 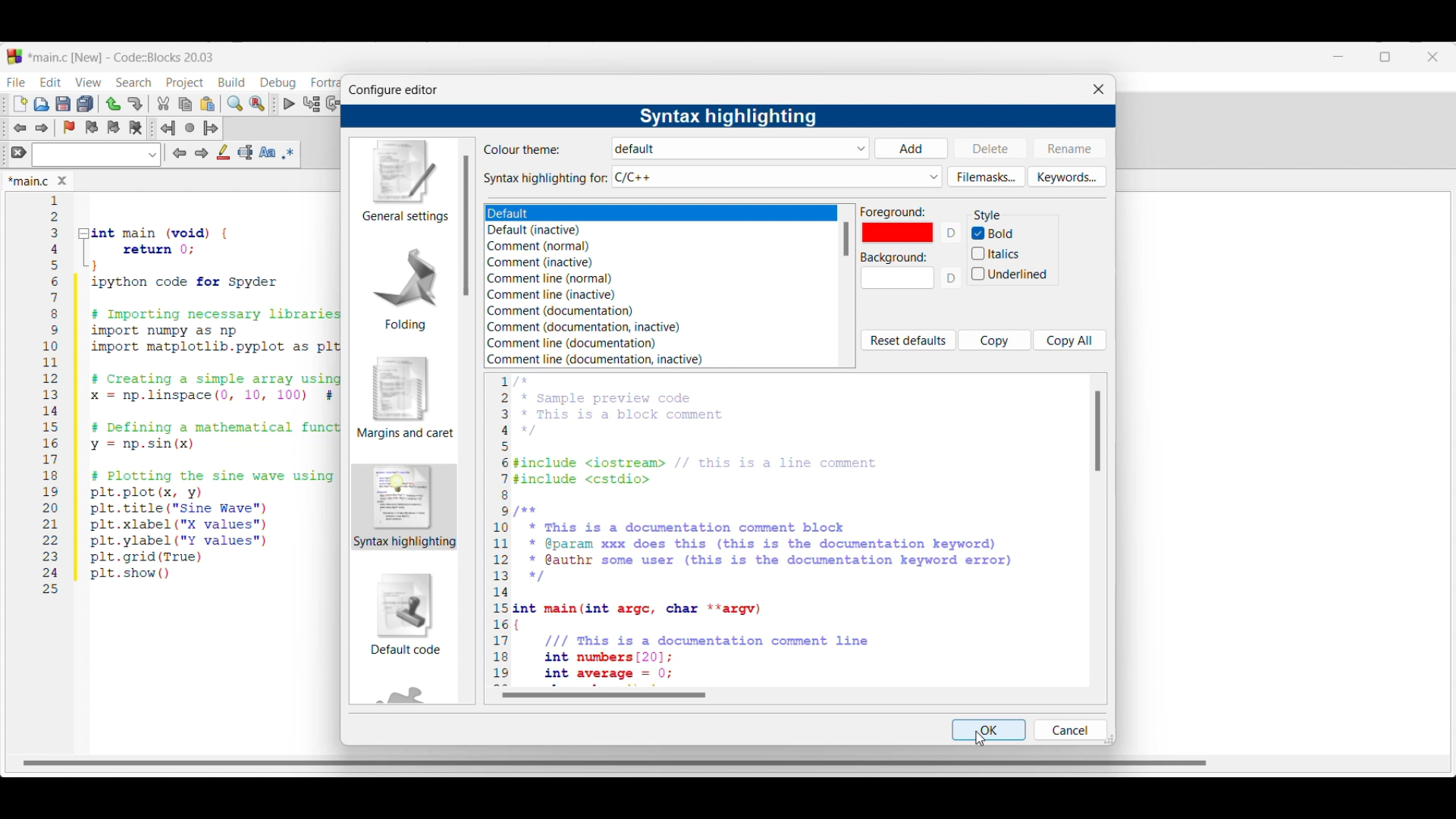 I want to click on Horizontal scroll bar, so click(x=619, y=758).